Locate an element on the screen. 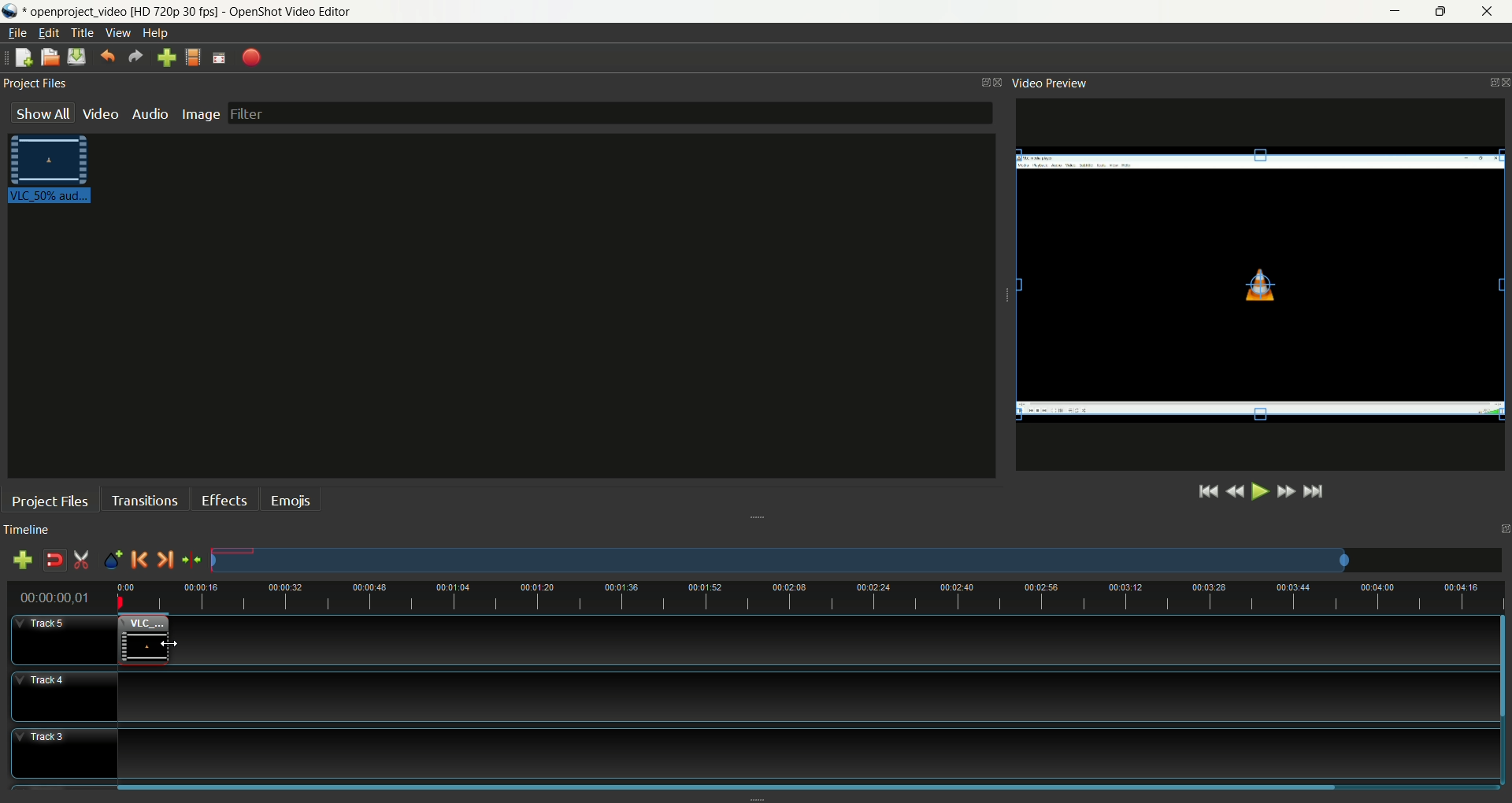  show all is located at coordinates (36, 113).